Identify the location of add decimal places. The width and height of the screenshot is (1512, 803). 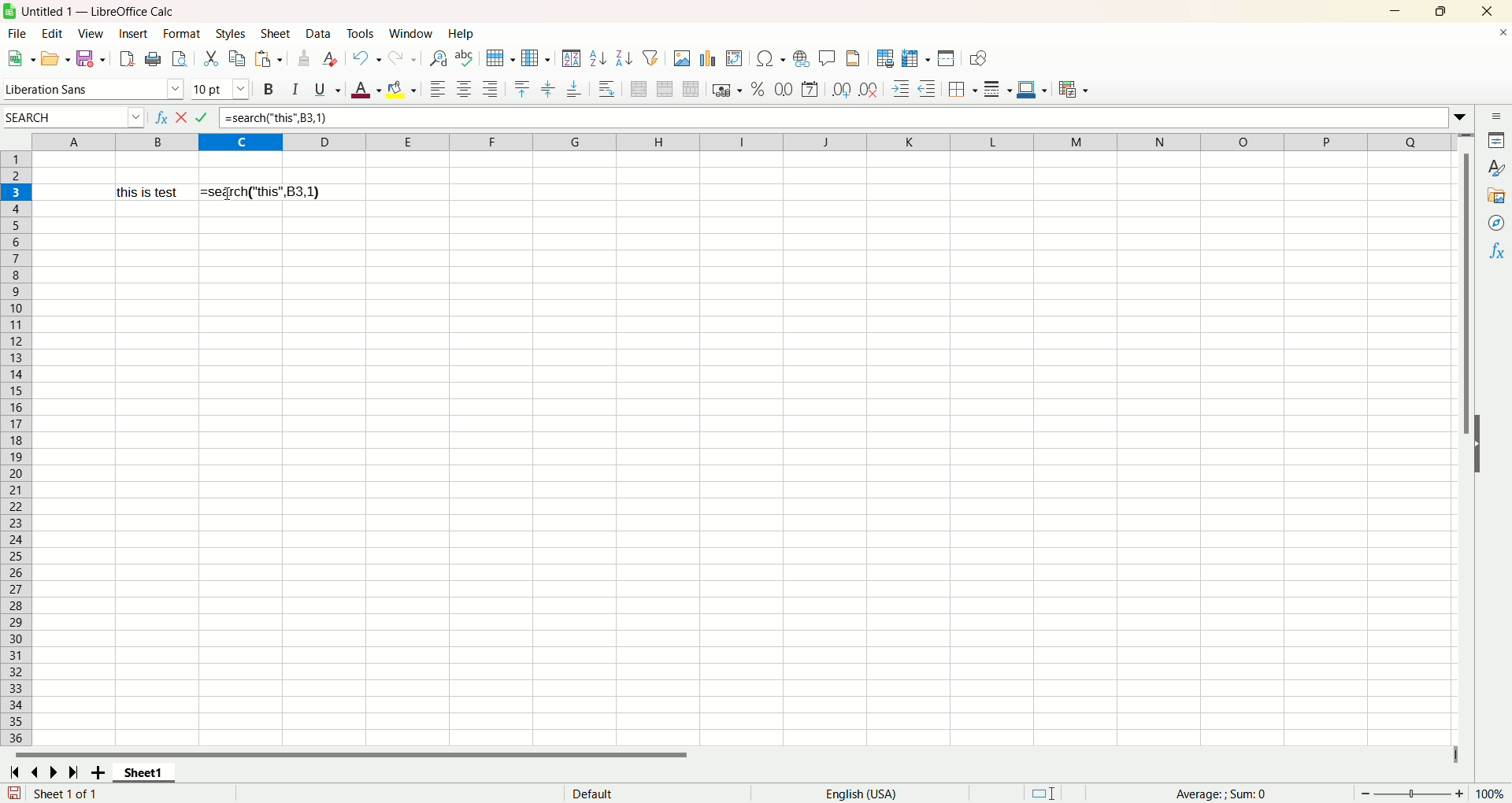
(840, 90).